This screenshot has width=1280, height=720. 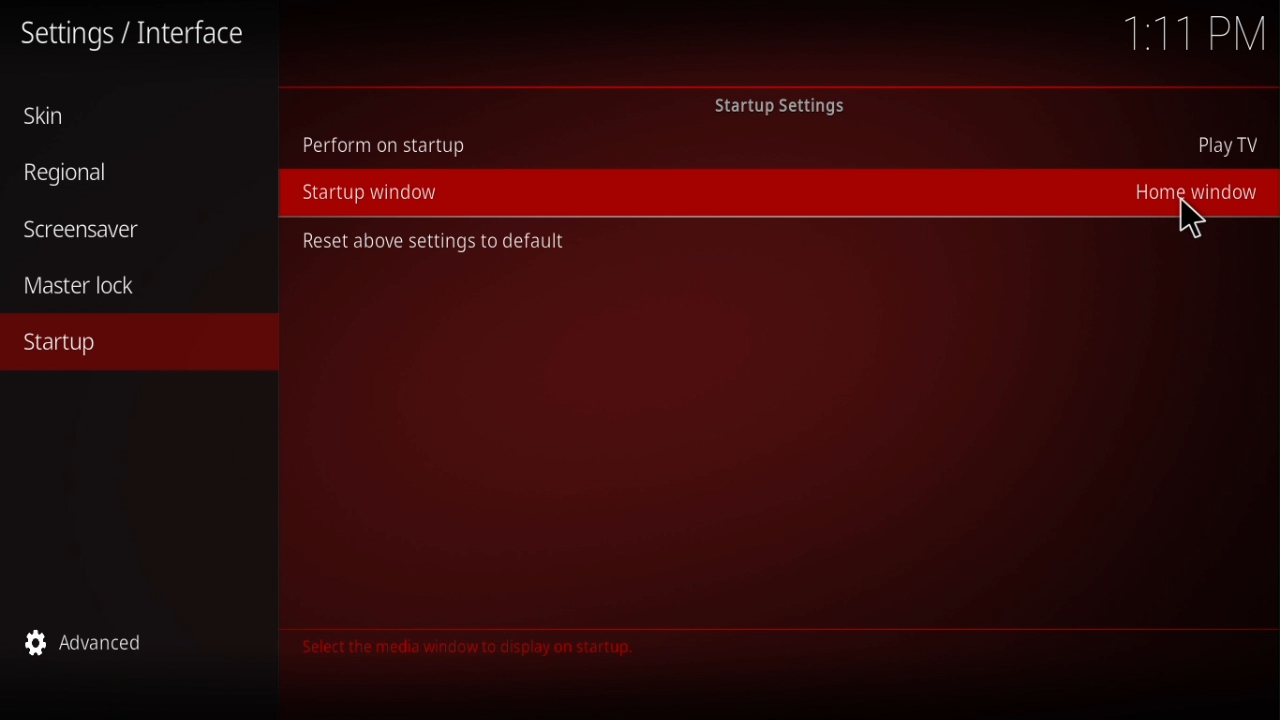 What do you see at coordinates (97, 646) in the screenshot?
I see `advanced setting` at bounding box center [97, 646].